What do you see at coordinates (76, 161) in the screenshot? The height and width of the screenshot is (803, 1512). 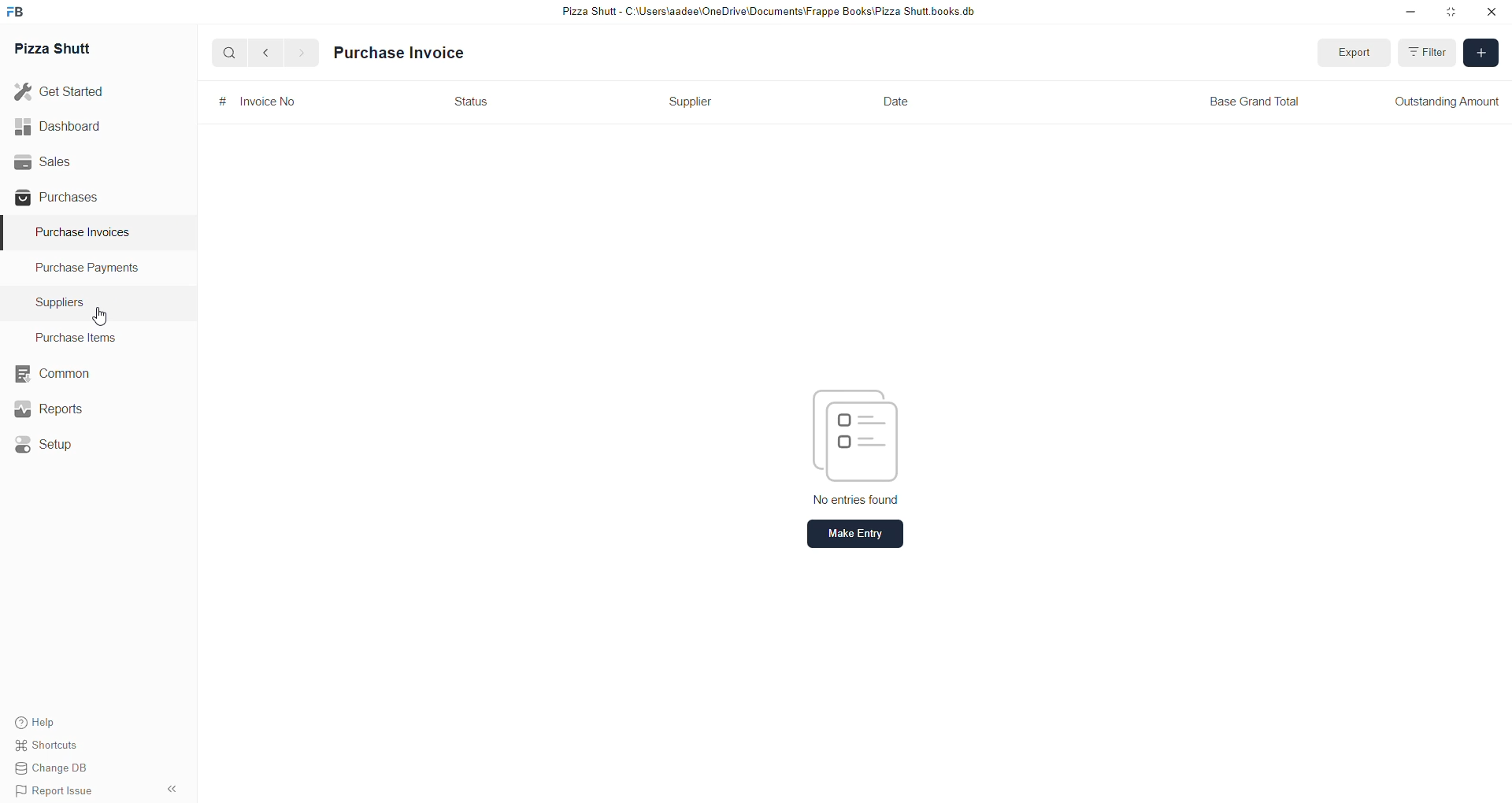 I see `Sales` at bounding box center [76, 161].